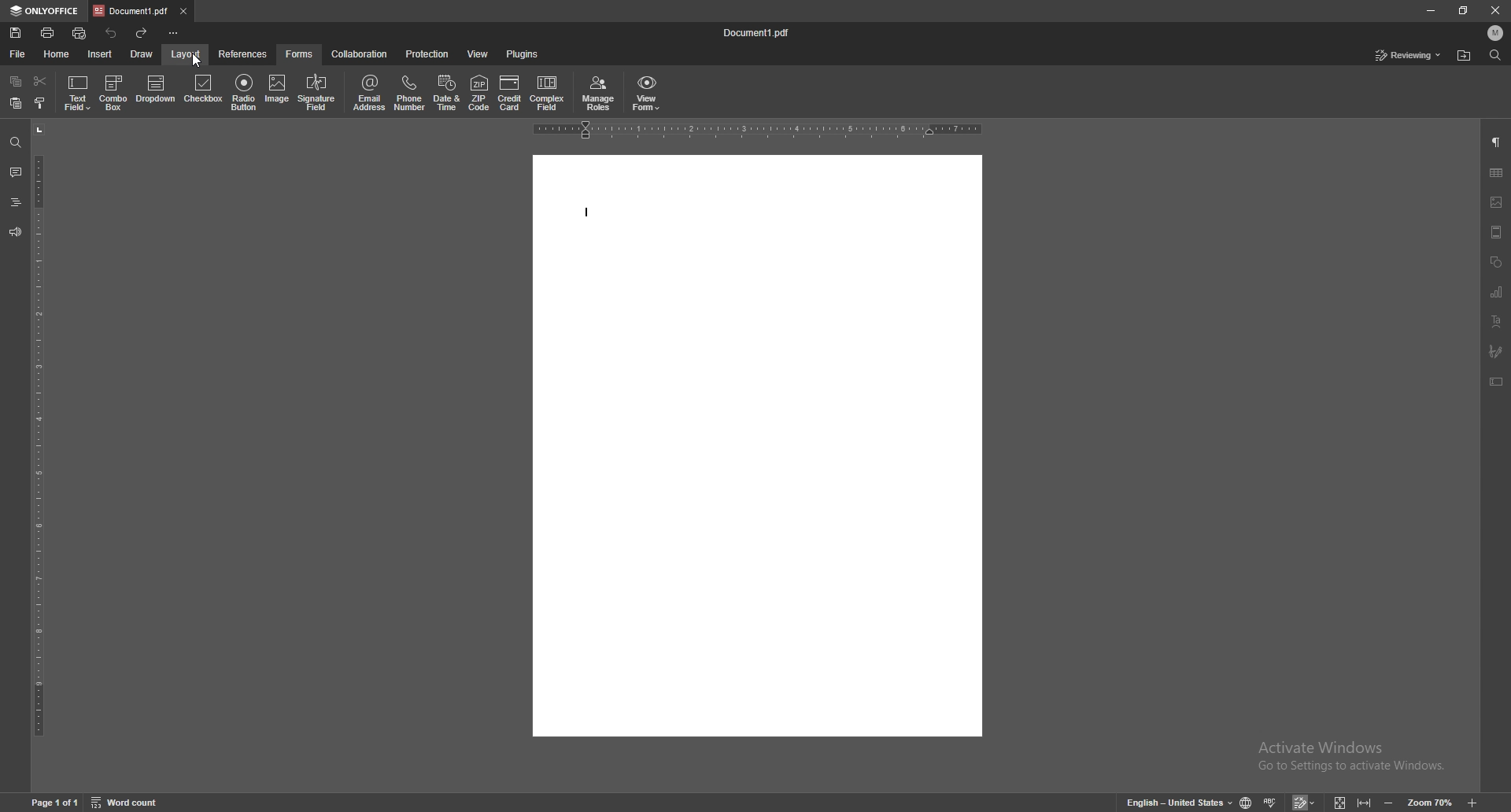 The width and height of the screenshot is (1511, 812). What do you see at coordinates (509, 93) in the screenshot?
I see `credit card` at bounding box center [509, 93].